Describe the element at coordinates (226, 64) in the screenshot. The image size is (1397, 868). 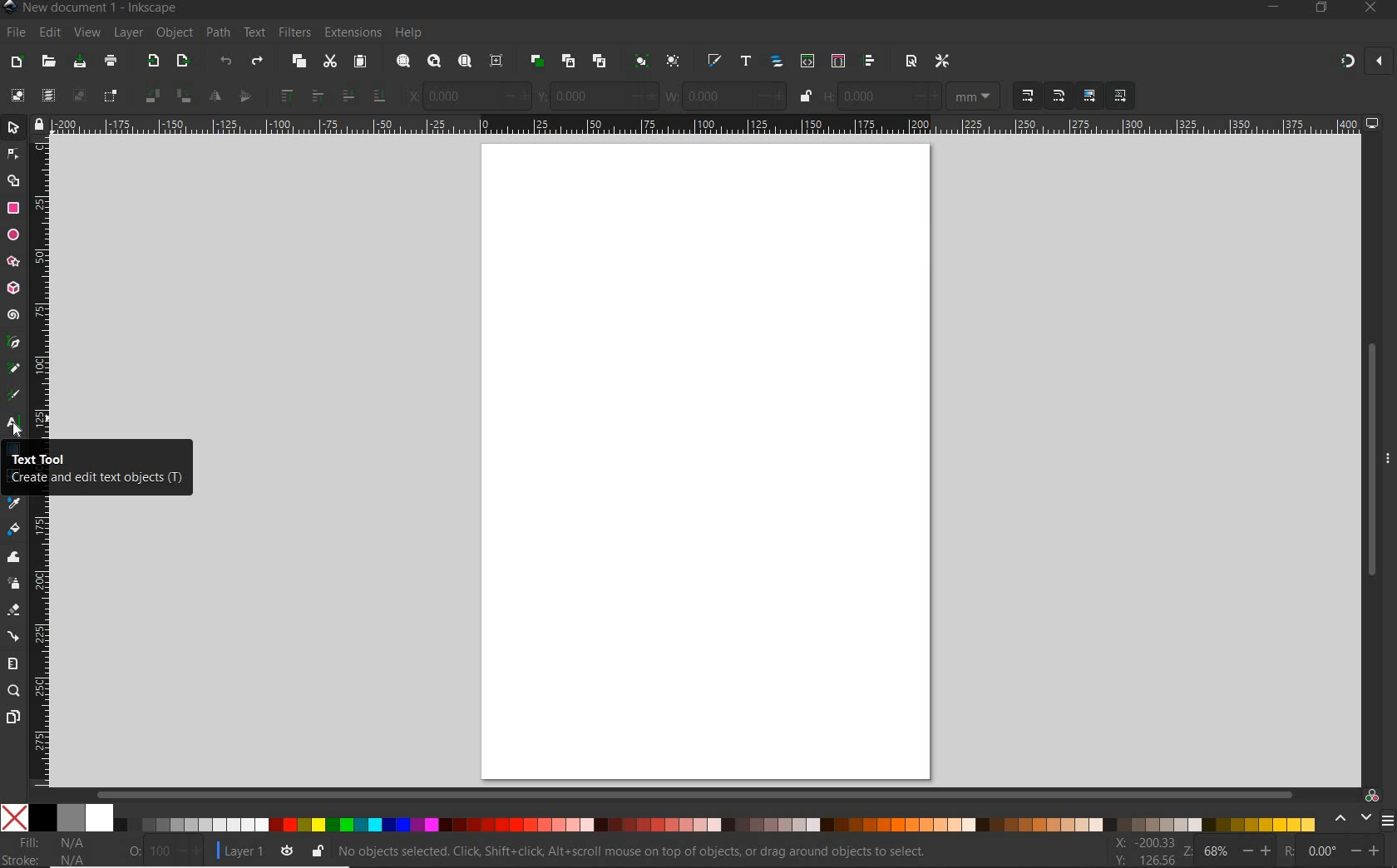
I see `undo` at that location.